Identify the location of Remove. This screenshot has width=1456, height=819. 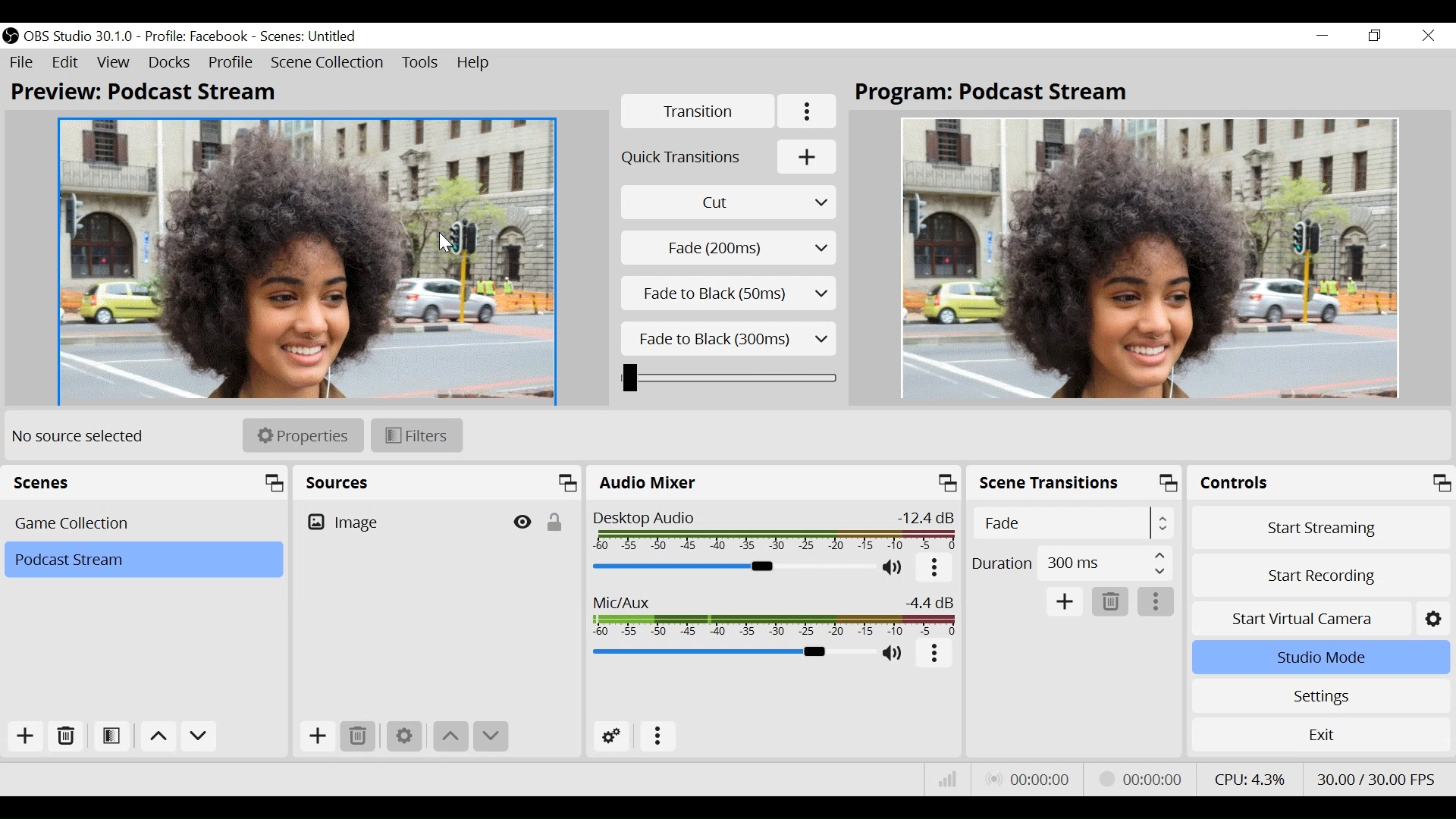
(1109, 602).